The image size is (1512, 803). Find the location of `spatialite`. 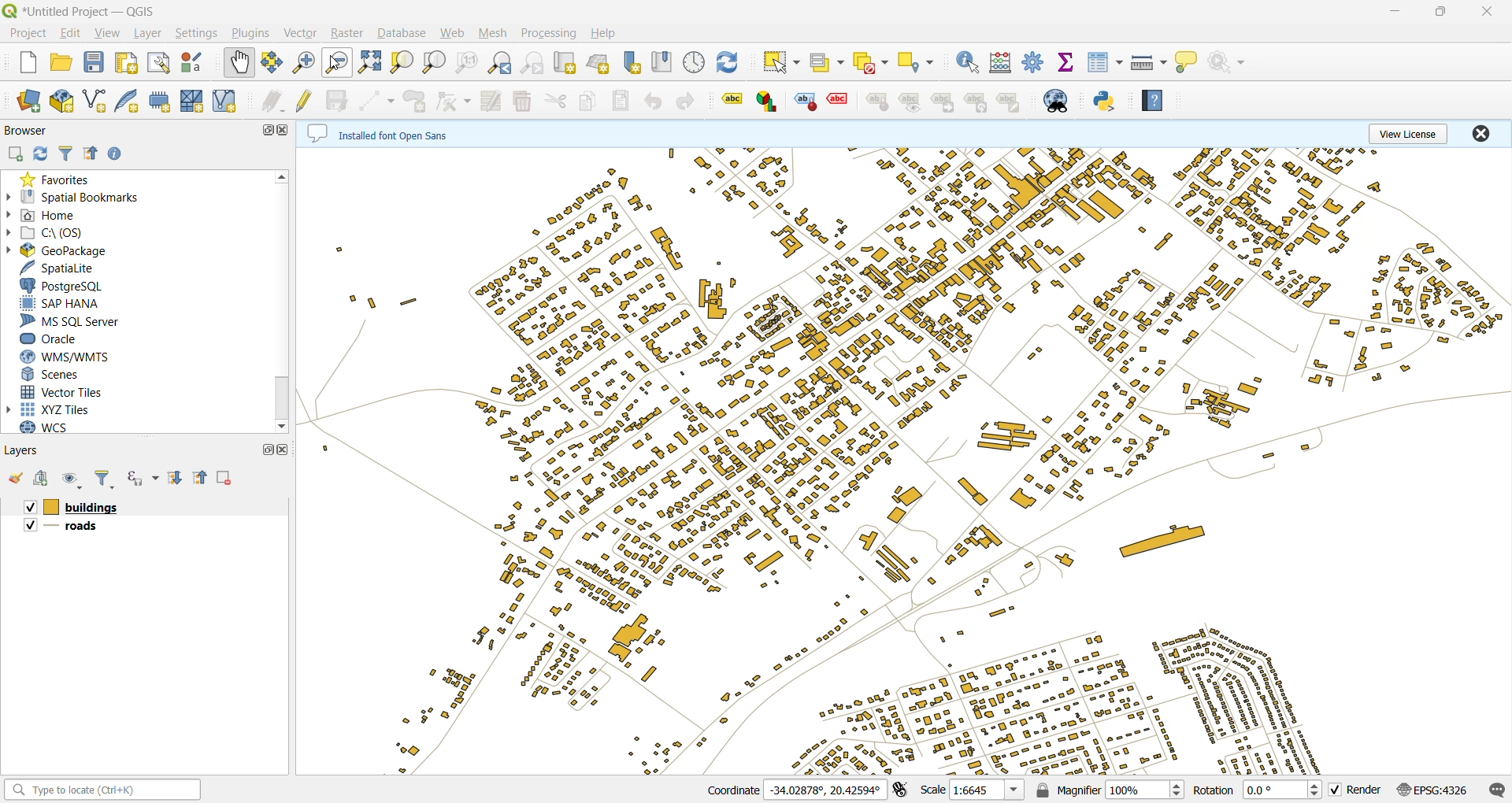

spatialite is located at coordinates (64, 268).